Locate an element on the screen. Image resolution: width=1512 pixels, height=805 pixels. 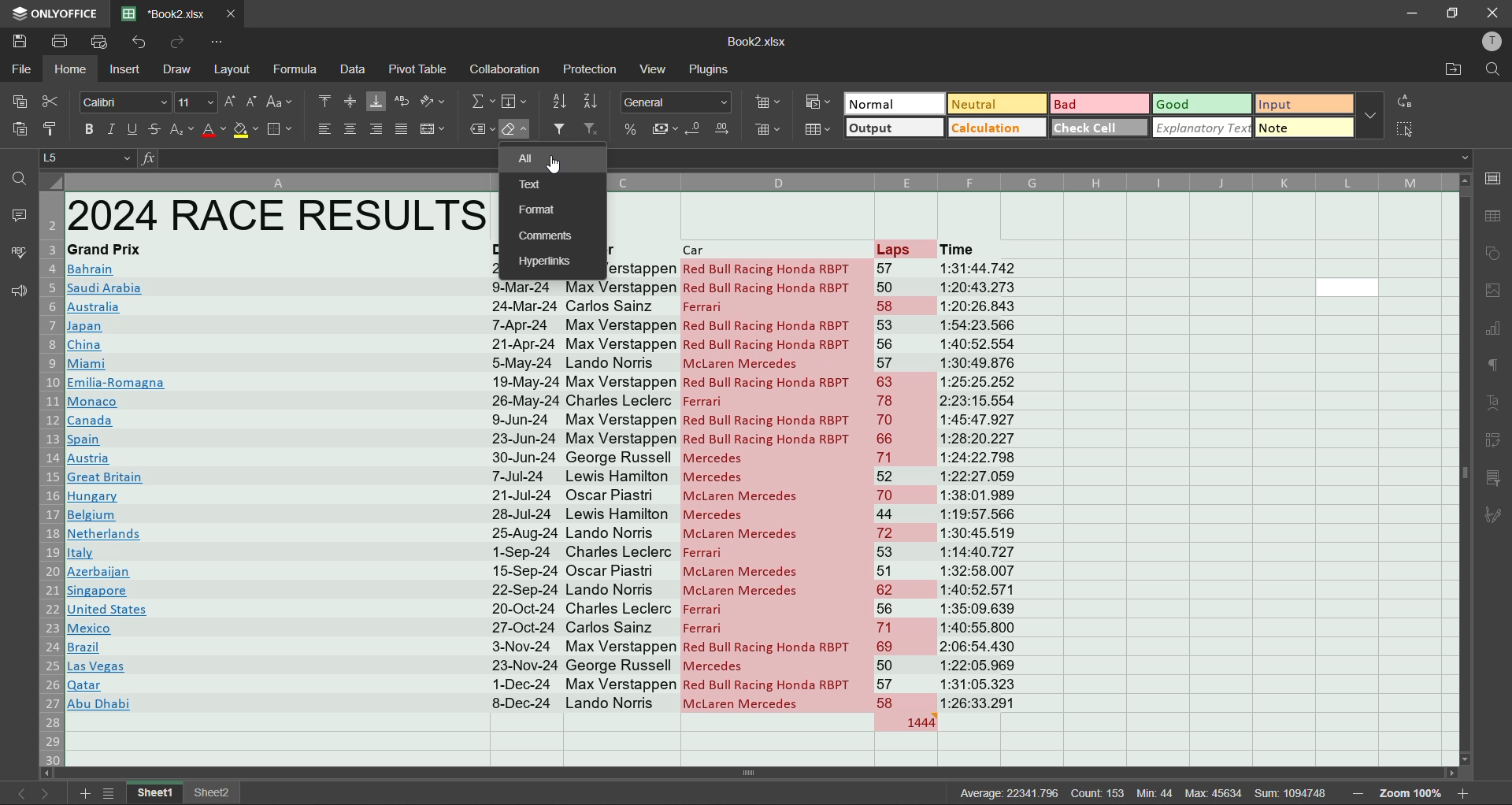
redo is located at coordinates (176, 42).